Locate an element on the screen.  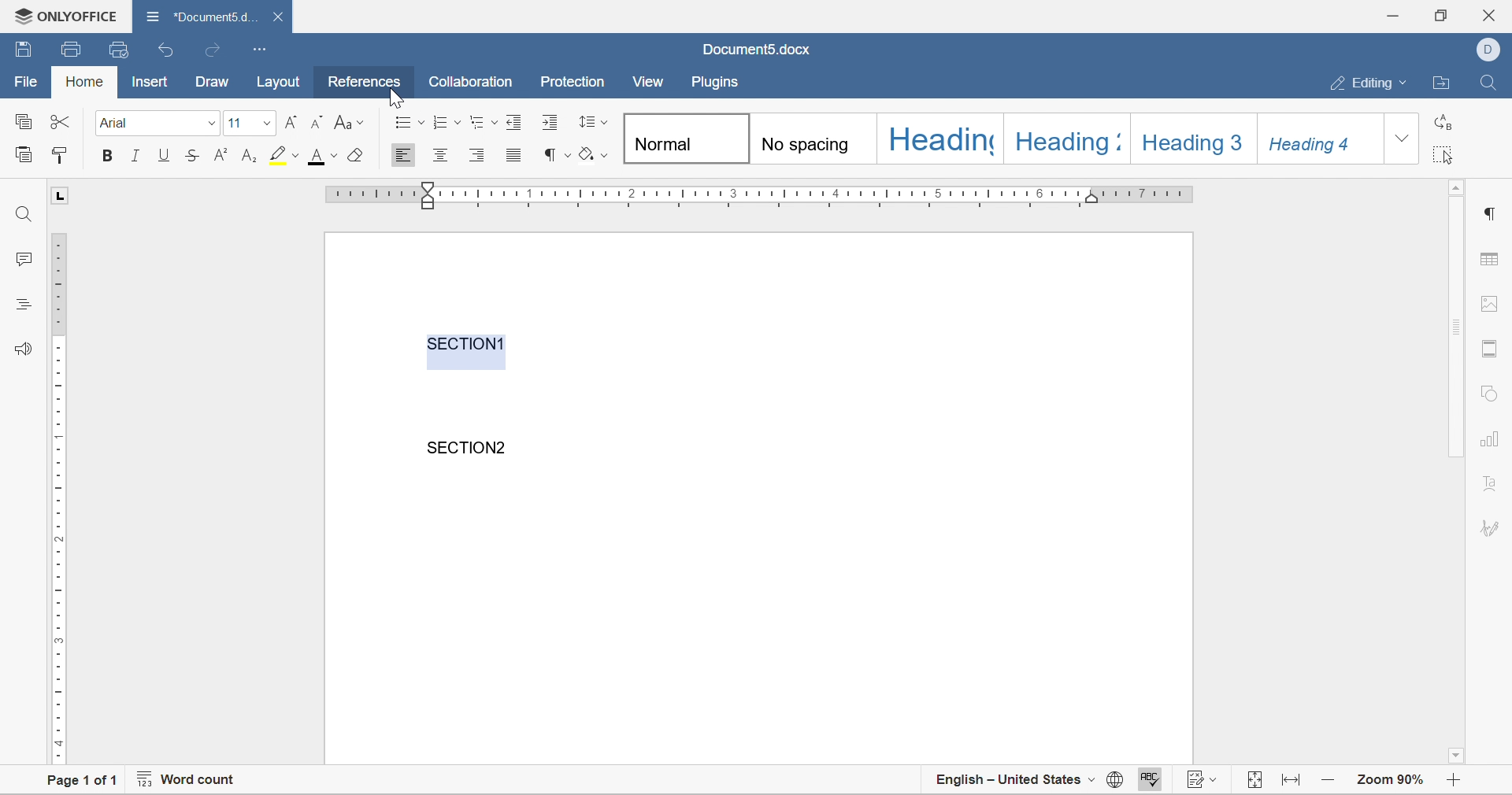
close is located at coordinates (281, 17).